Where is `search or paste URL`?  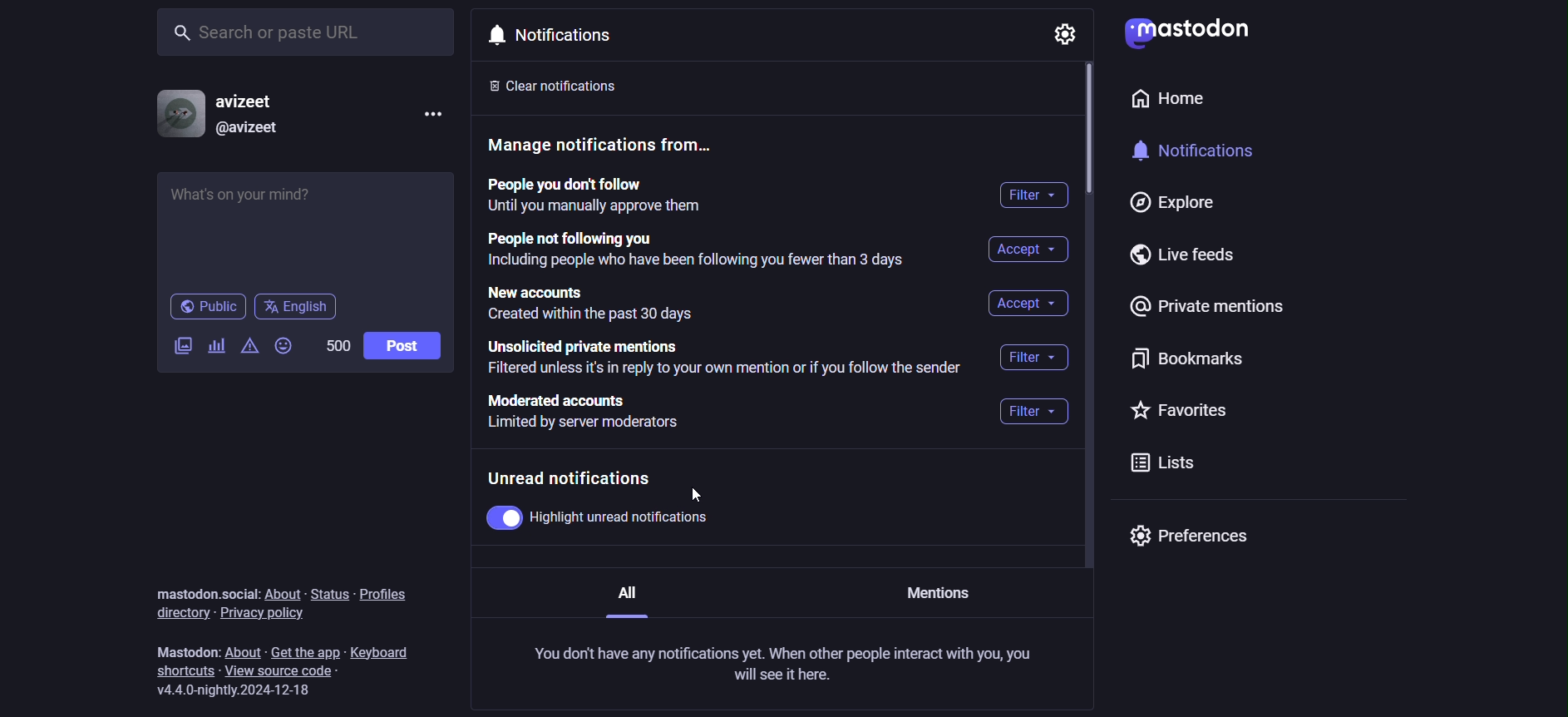
search or paste URL is located at coordinates (307, 30).